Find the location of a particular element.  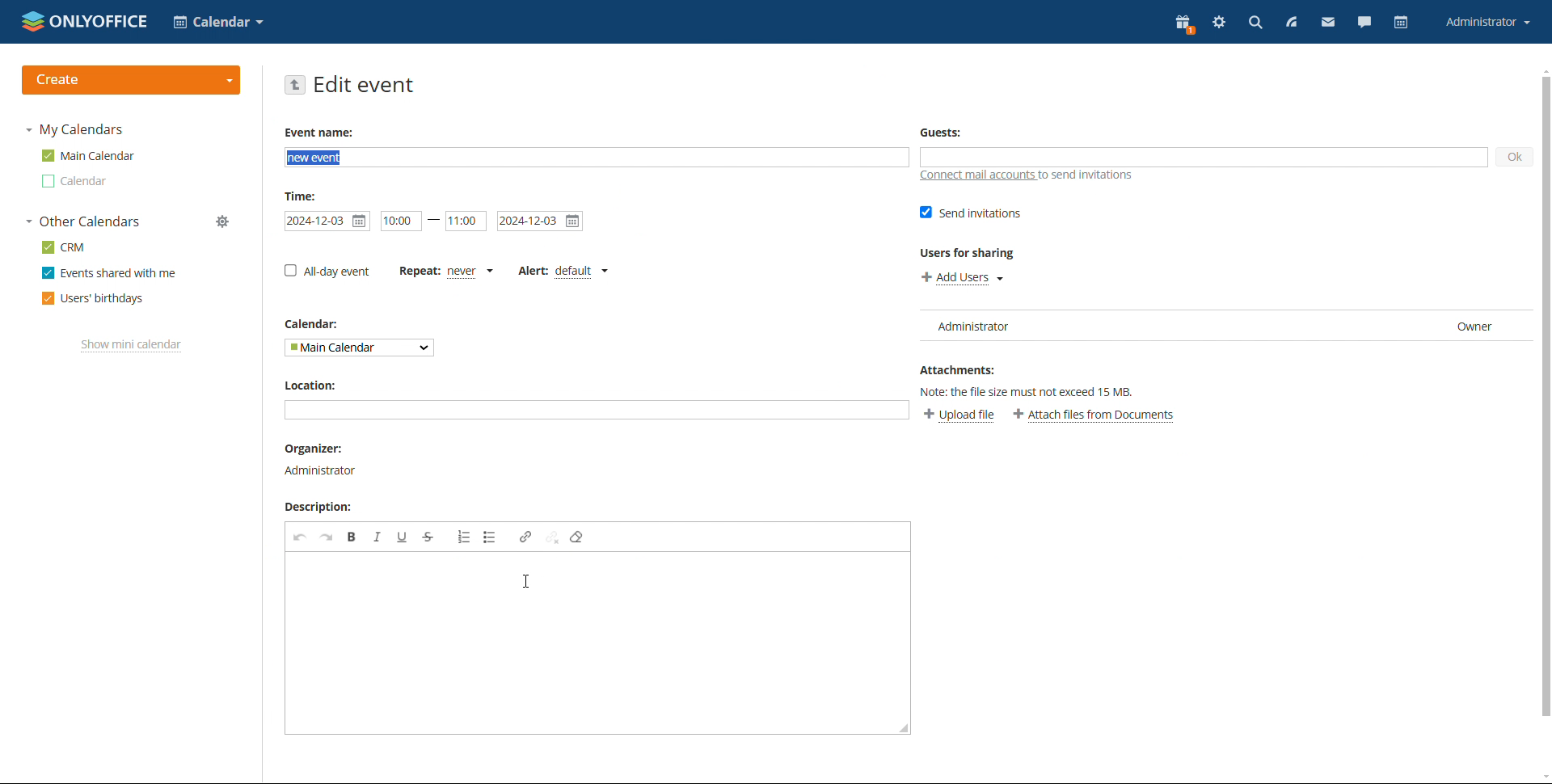

settings is located at coordinates (1220, 22).